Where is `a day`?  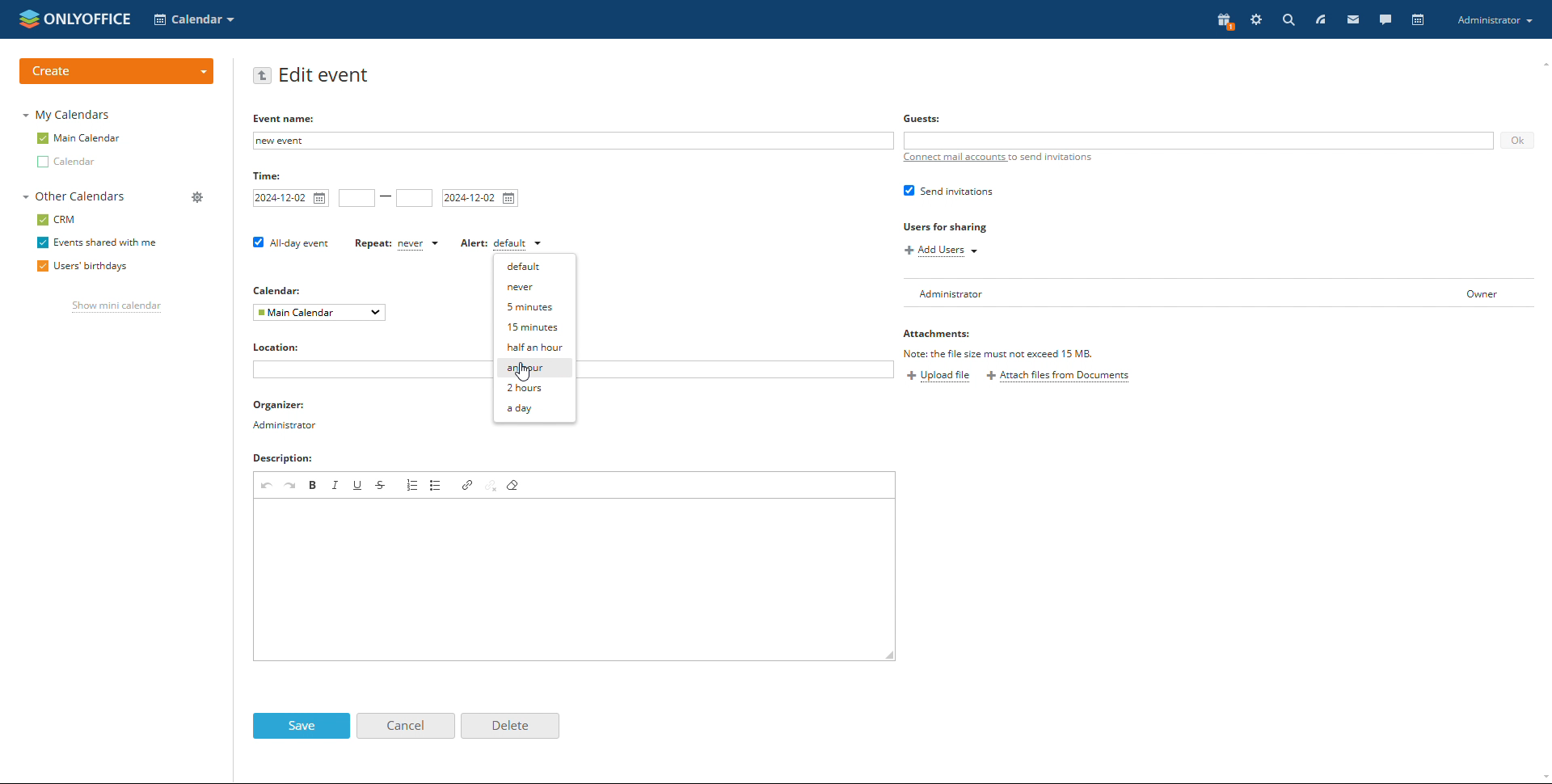
a day is located at coordinates (534, 410).